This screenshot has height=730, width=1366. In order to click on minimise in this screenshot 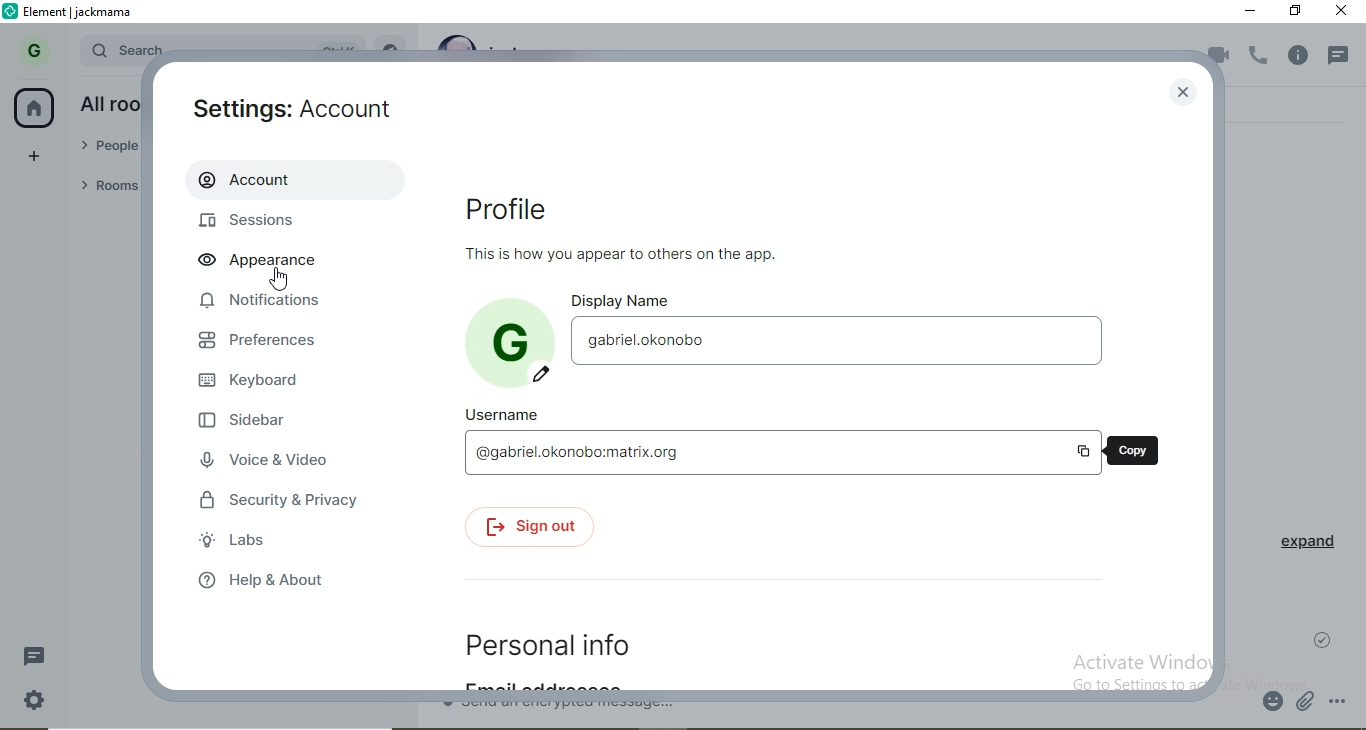, I will do `click(1251, 12)`.